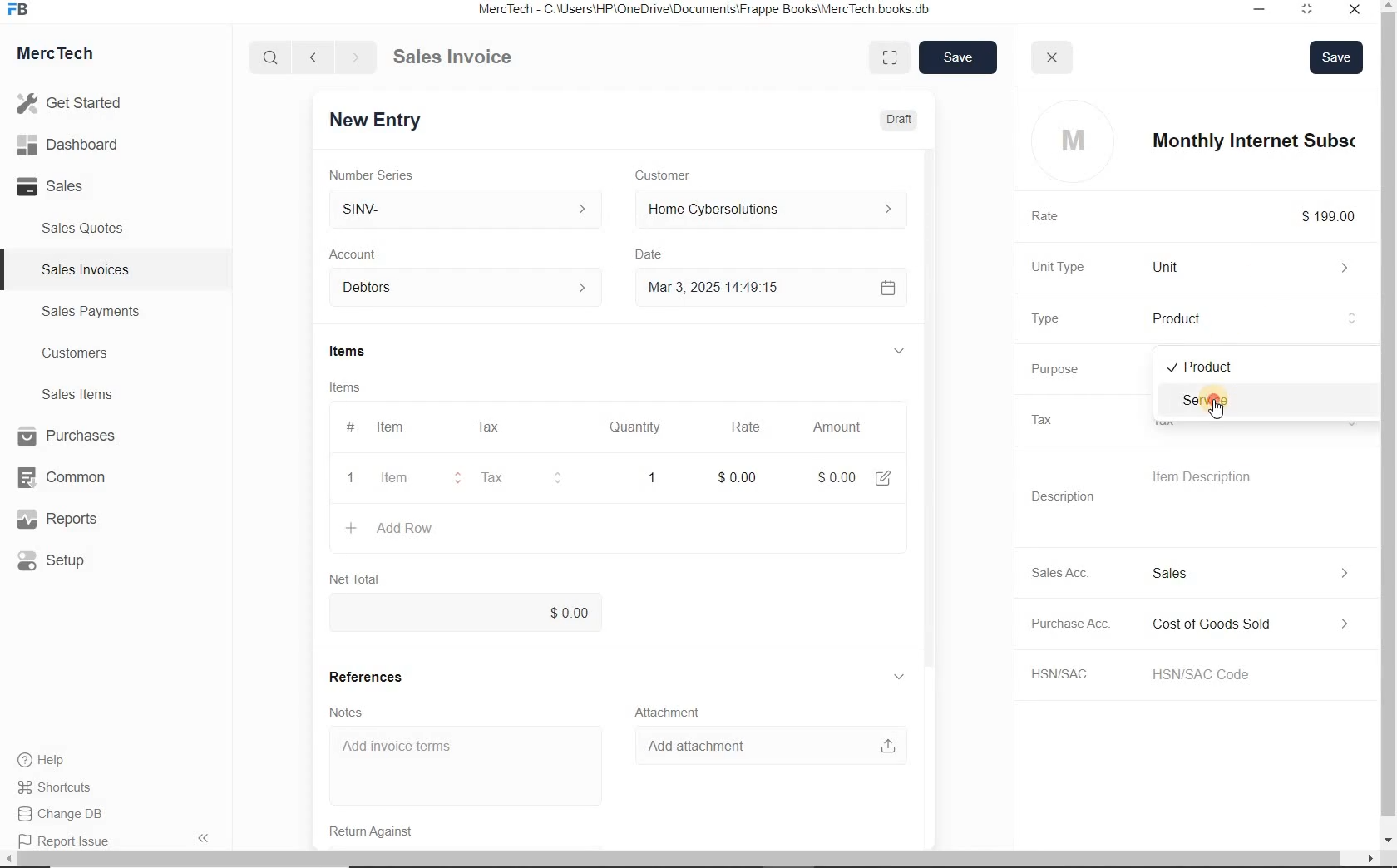 This screenshot has height=868, width=1397. What do you see at coordinates (1061, 318) in the screenshot?
I see `Type` at bounding box center [1061, 318].